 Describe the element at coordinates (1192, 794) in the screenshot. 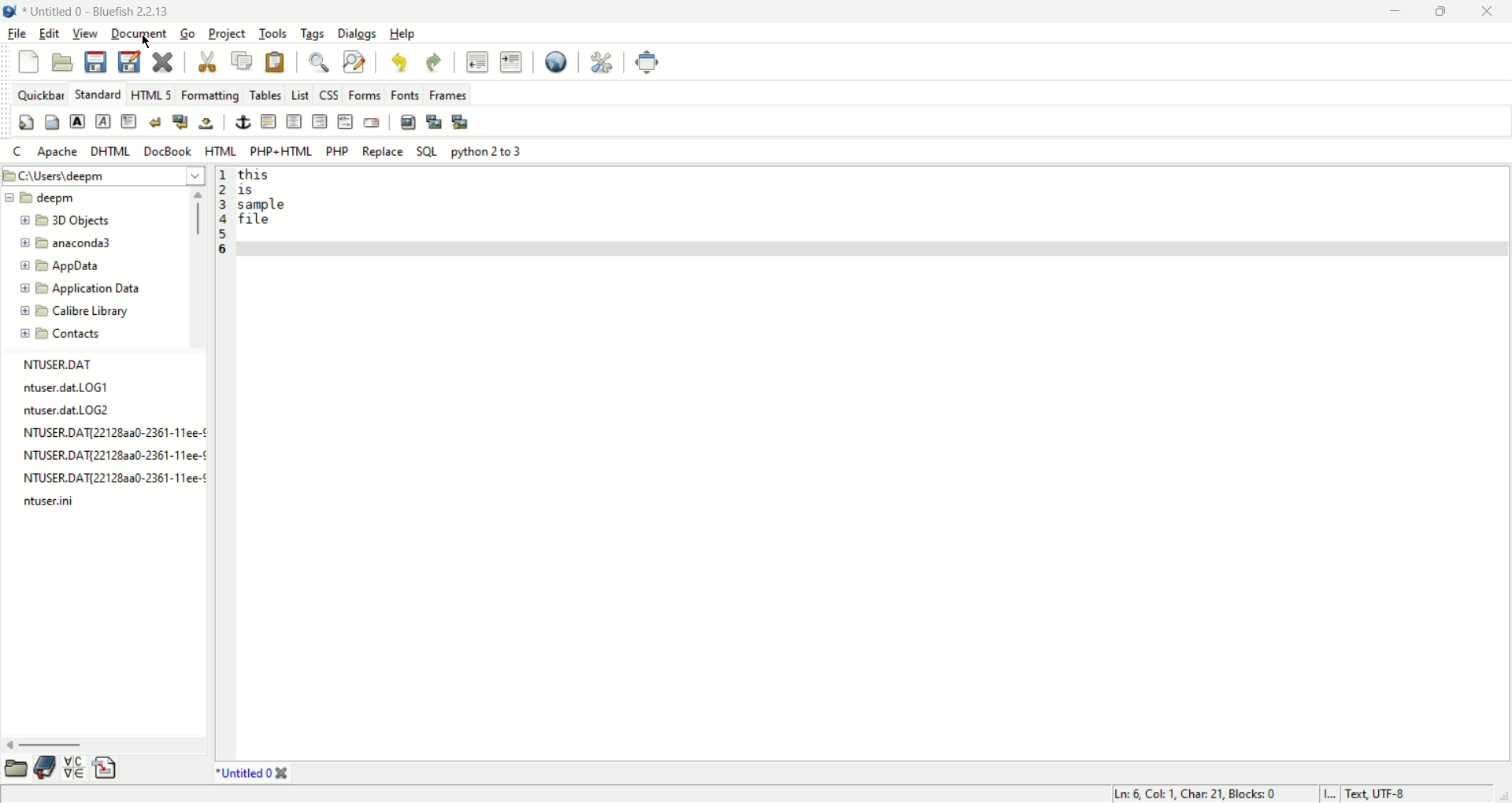

I see `ln, col, char, blocks` at that location.